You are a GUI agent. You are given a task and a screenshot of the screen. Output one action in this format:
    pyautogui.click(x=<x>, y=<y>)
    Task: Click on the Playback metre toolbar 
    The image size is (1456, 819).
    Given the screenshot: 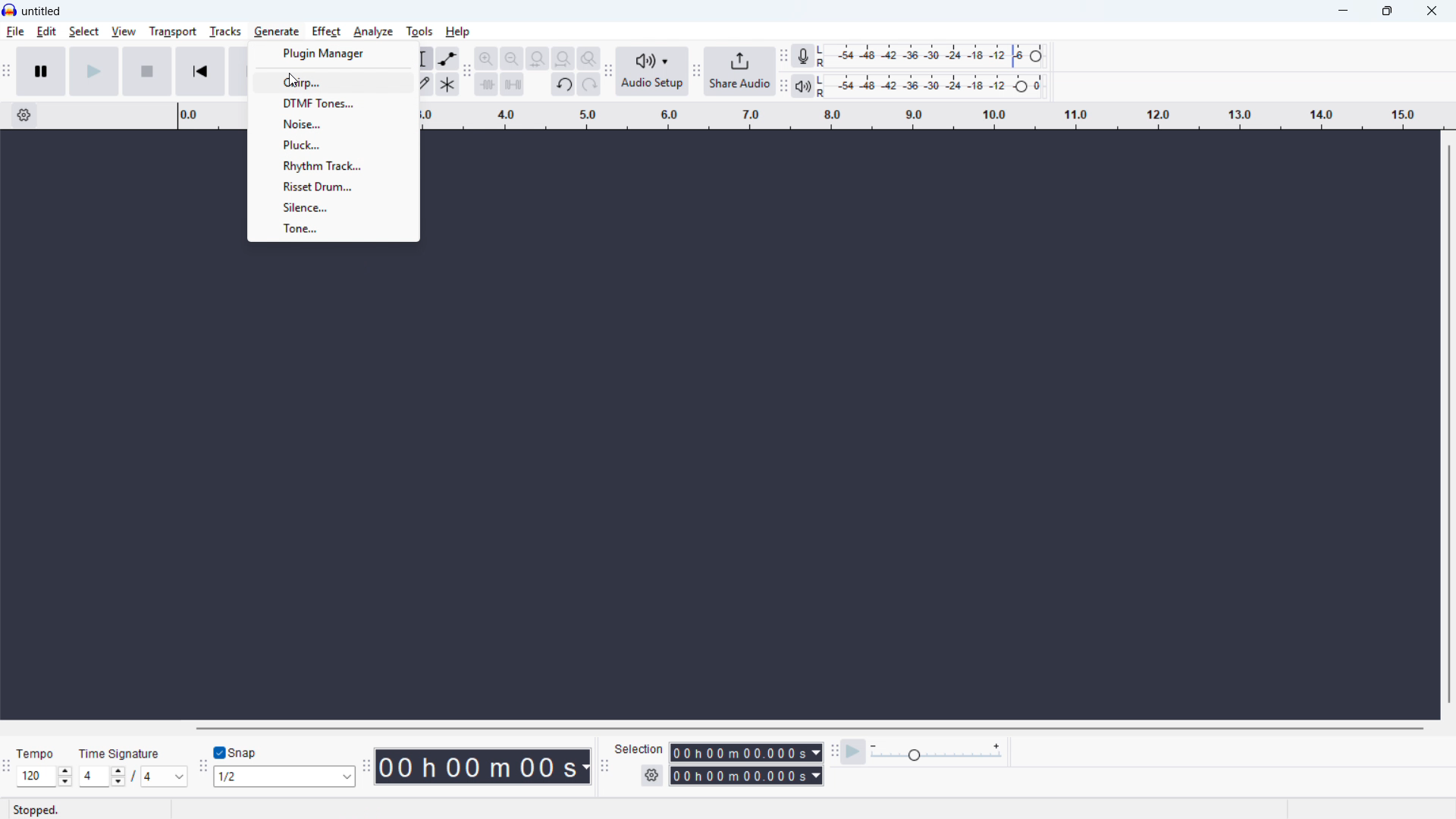 What is the action you would take?
    pyautogui.click(x=783, y=86)
    